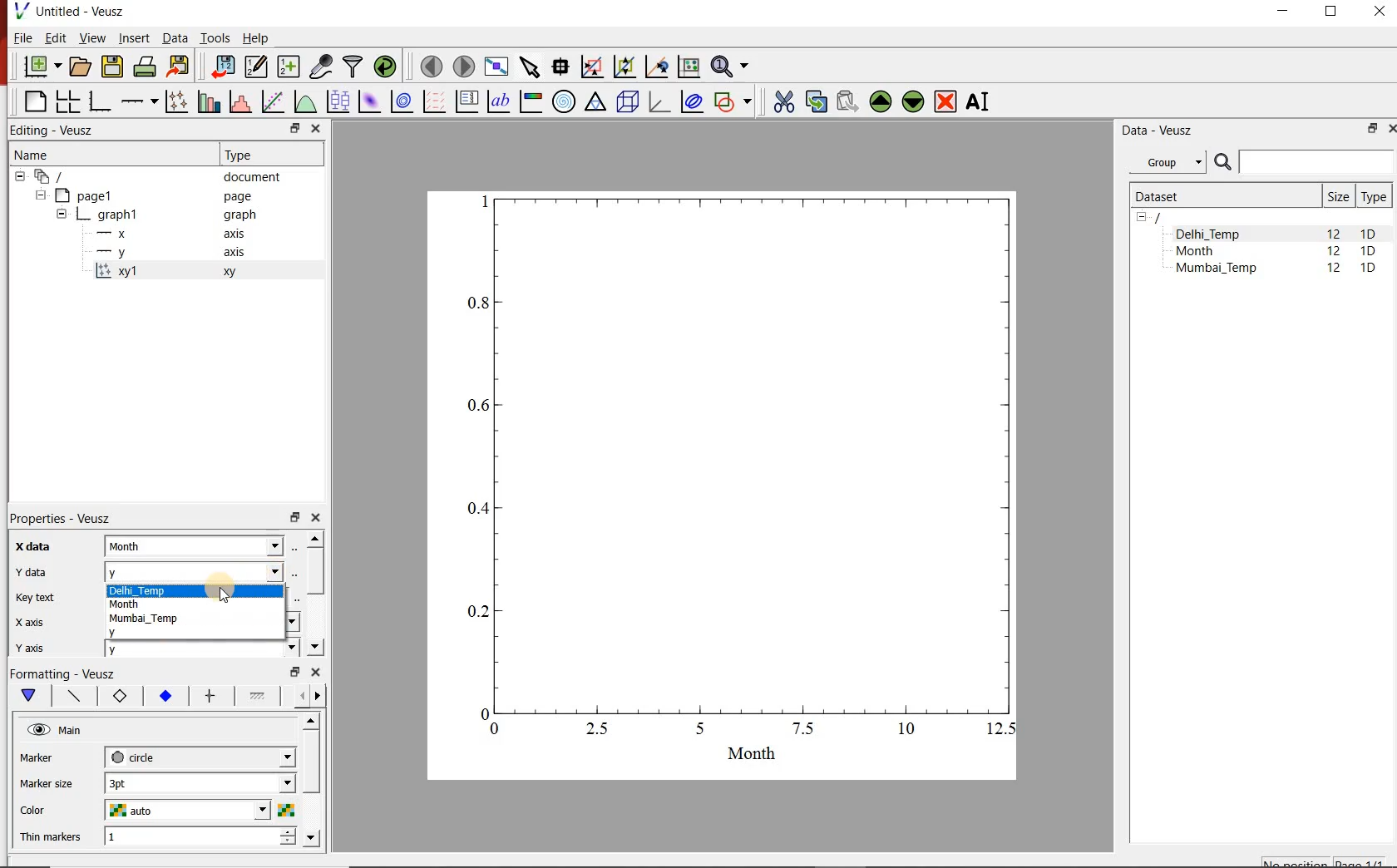 Image resolution: width=1397 pixels, height=868 pixels. Describe the element at coordinates (880, 101) in the screenshot. I see `move the selected widget up` at that location.